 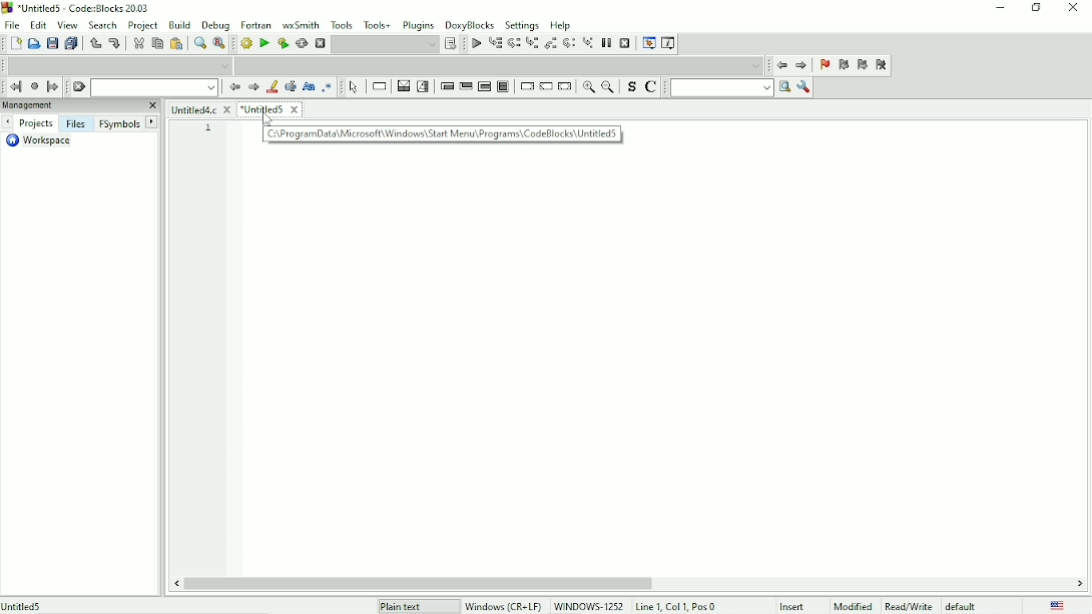 I want to click on Stop debugger, so click(x=625, y=43).